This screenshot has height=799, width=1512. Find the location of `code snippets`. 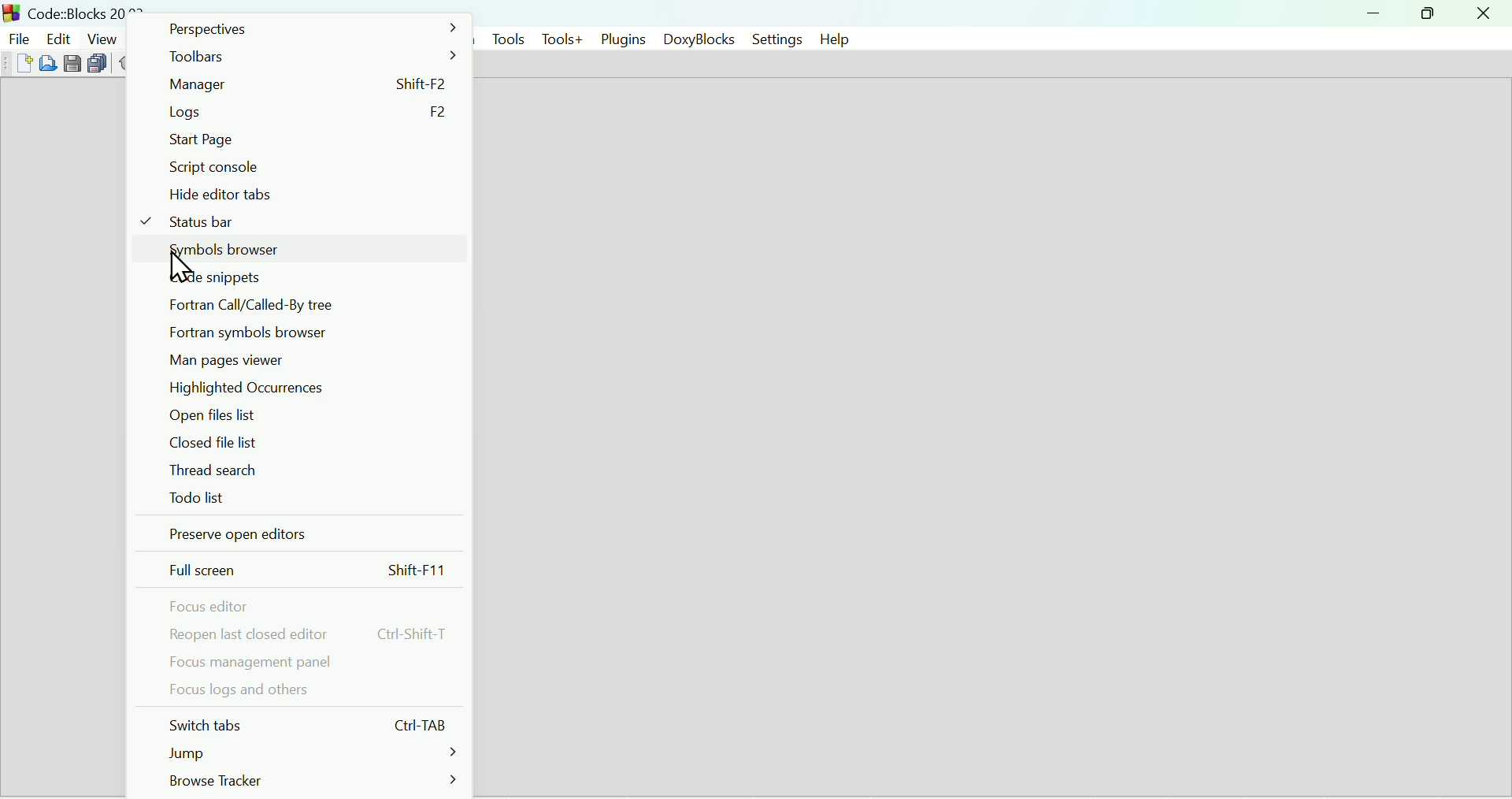

code snippets is located at coordinates (302, 278).